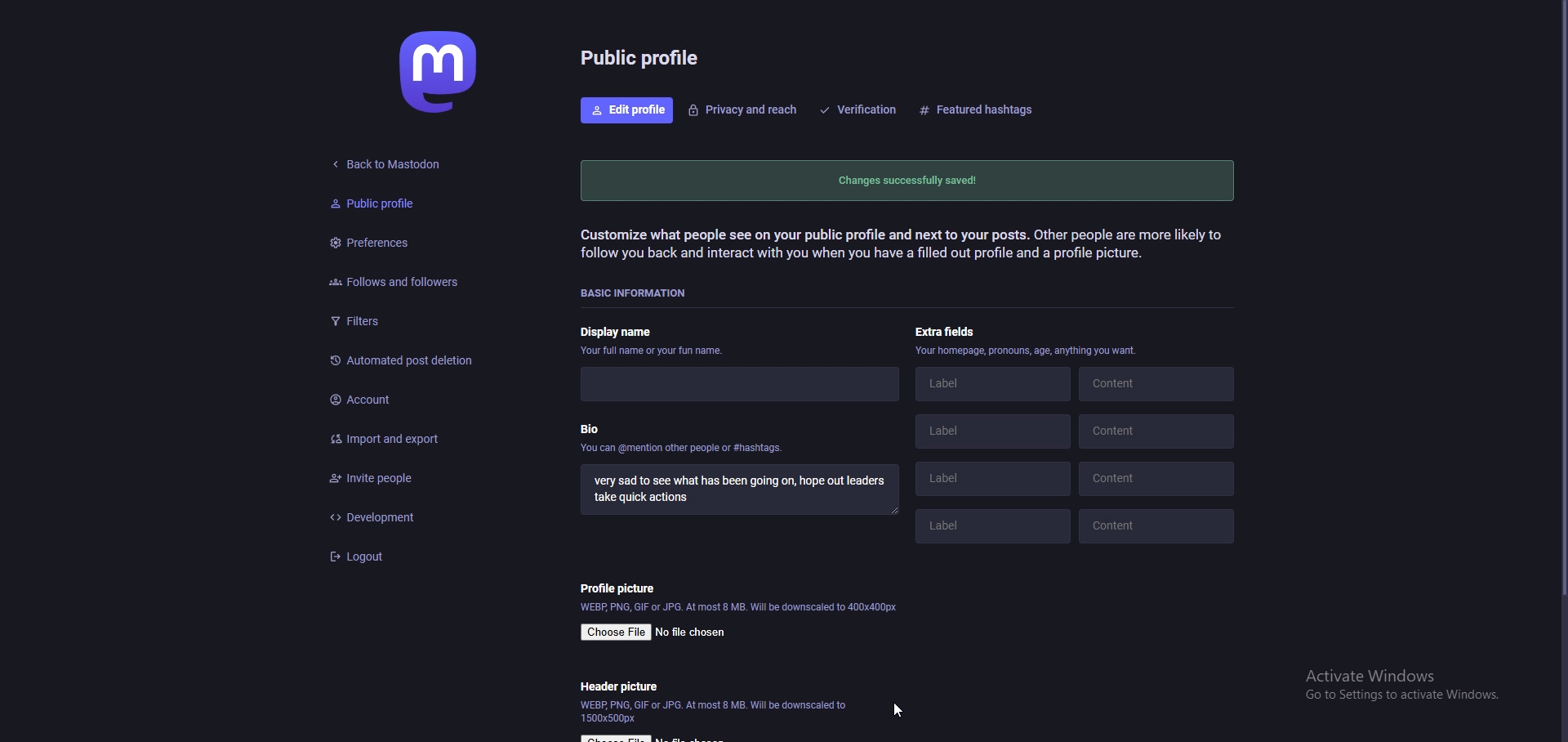 The width and height of the screenshot is (1568, 742). Describe the element at coordinates (1156, 525) in the screenshot. I see `content` at that location.